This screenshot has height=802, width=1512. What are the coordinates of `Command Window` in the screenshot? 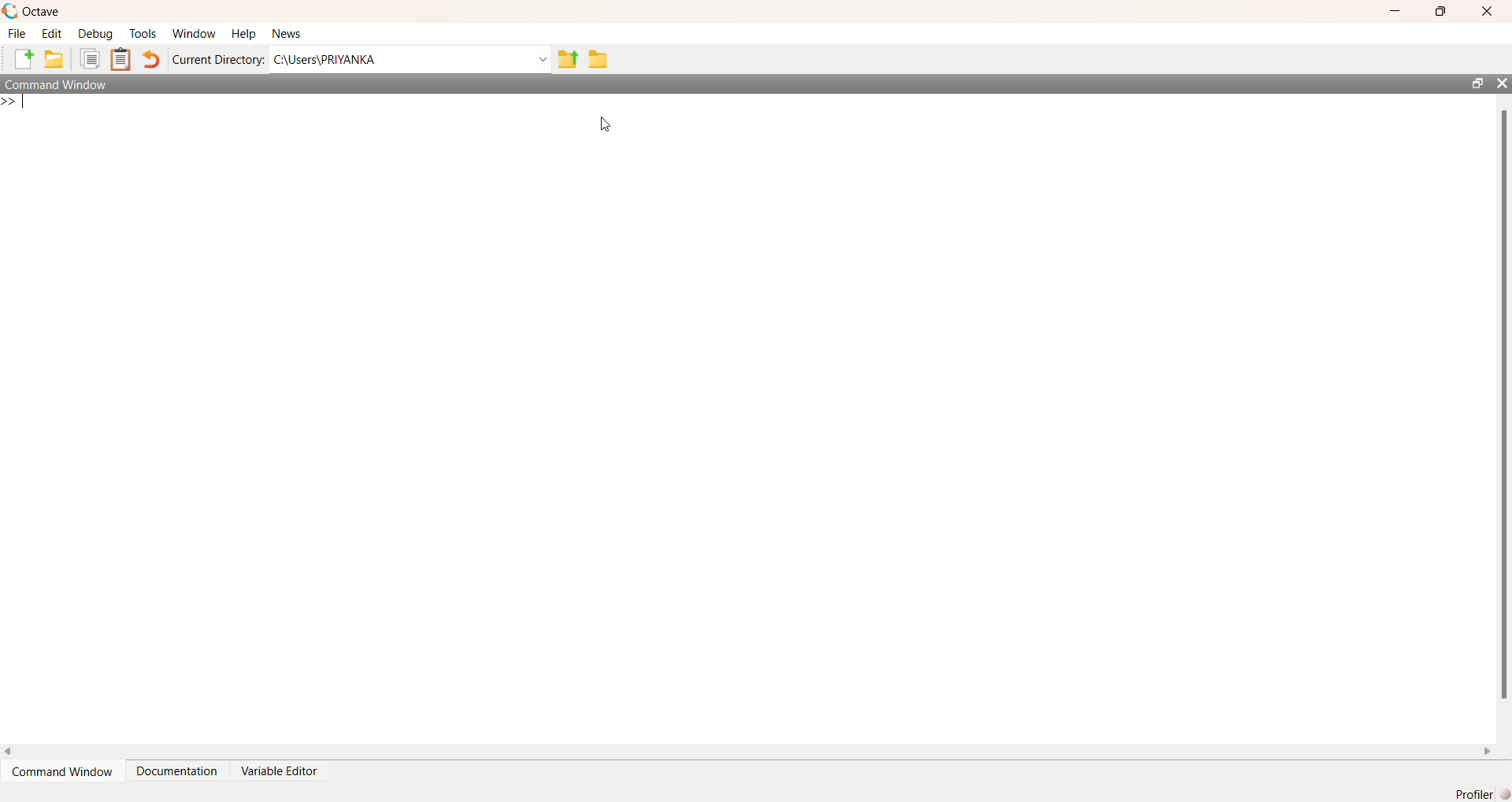 It's located at (61, 771).